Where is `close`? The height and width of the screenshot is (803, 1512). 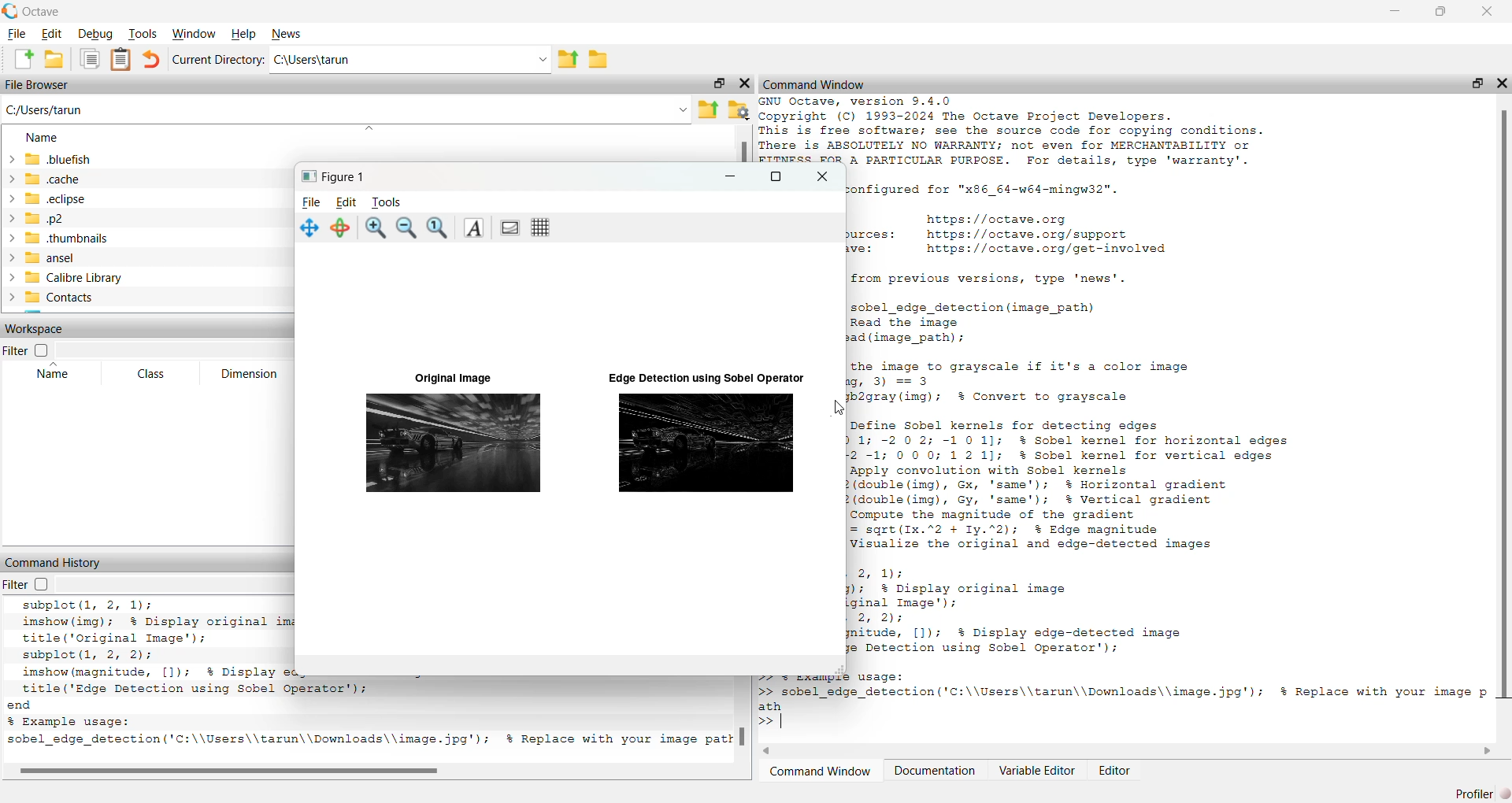 close is located at coordinates (744, 87).